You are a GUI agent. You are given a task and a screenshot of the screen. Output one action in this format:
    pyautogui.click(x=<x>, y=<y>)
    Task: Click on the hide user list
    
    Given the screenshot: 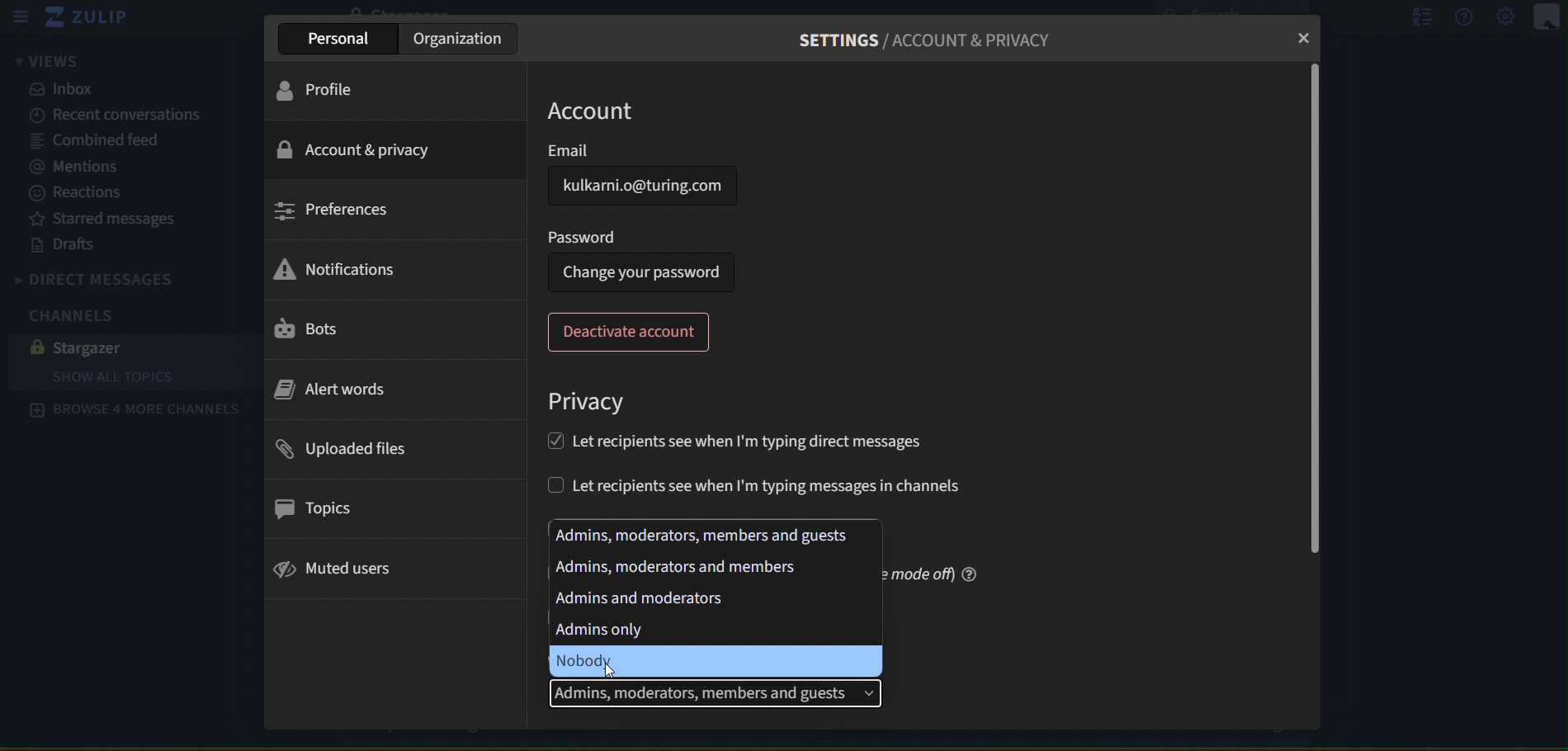 What is the action you would take?
    pyautogui.click(x=1415, y=17)
    